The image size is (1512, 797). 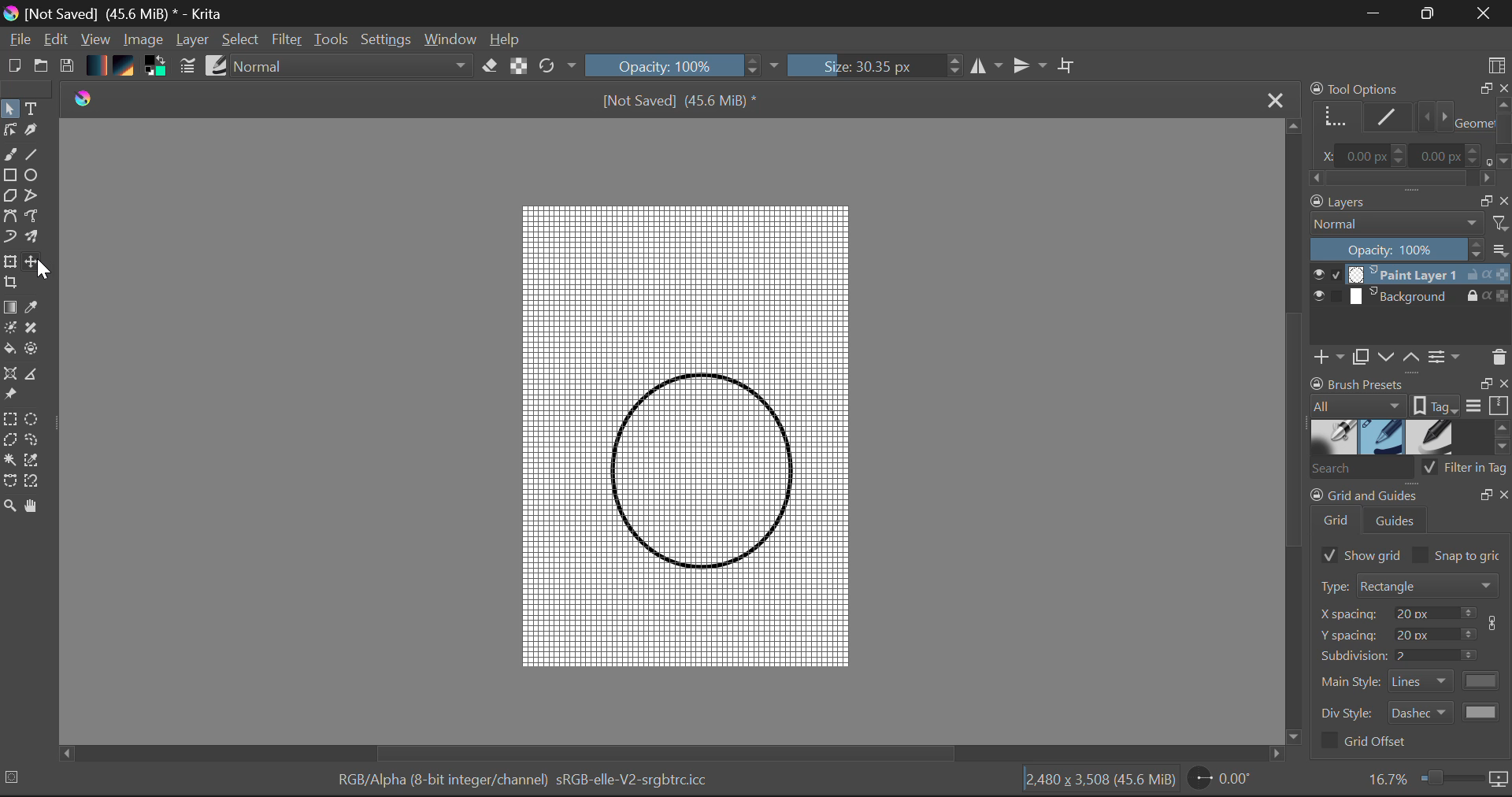 What do you see at coordinates (37, 375) in the screenshot?
I see `Measurements` at bounding box center [37, 375].